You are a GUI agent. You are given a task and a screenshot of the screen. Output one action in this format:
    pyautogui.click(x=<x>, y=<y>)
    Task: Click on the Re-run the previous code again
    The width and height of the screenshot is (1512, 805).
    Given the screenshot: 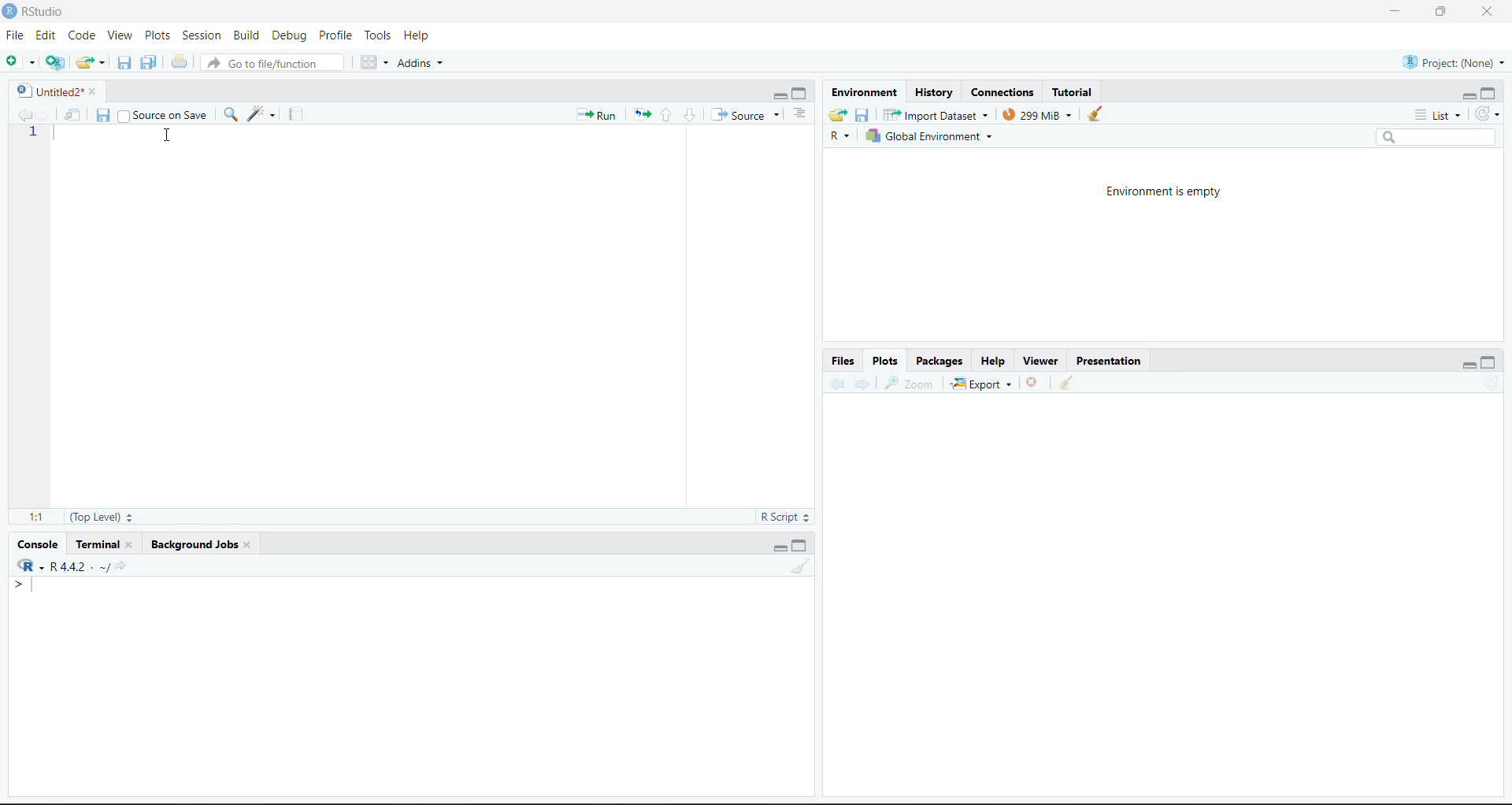 What is the action you would take?
    pyautogui.click(x=639, y=113)
    